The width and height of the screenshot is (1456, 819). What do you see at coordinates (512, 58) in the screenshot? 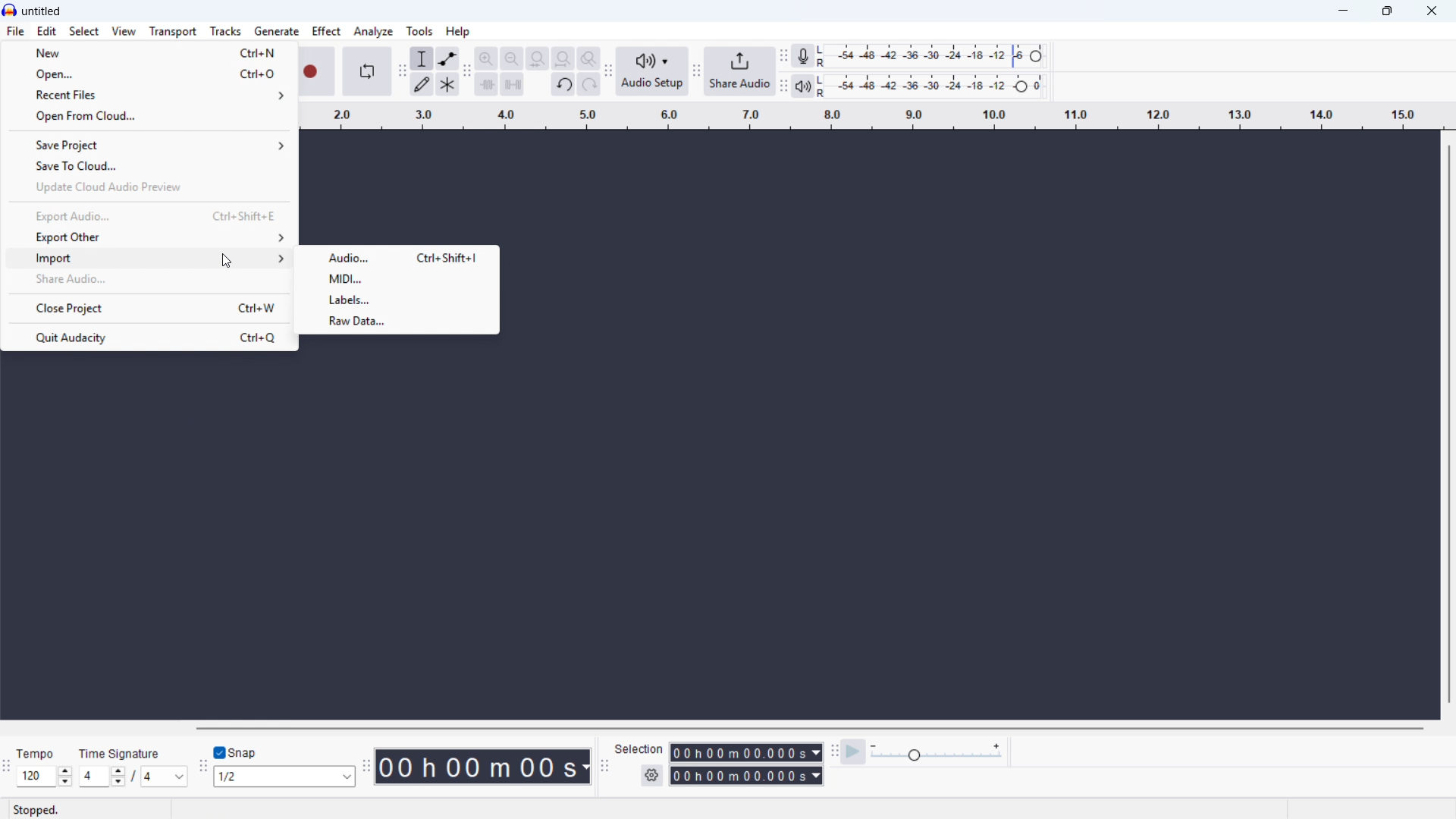
I see `Zoom out ` at bounding box center [512, 58].